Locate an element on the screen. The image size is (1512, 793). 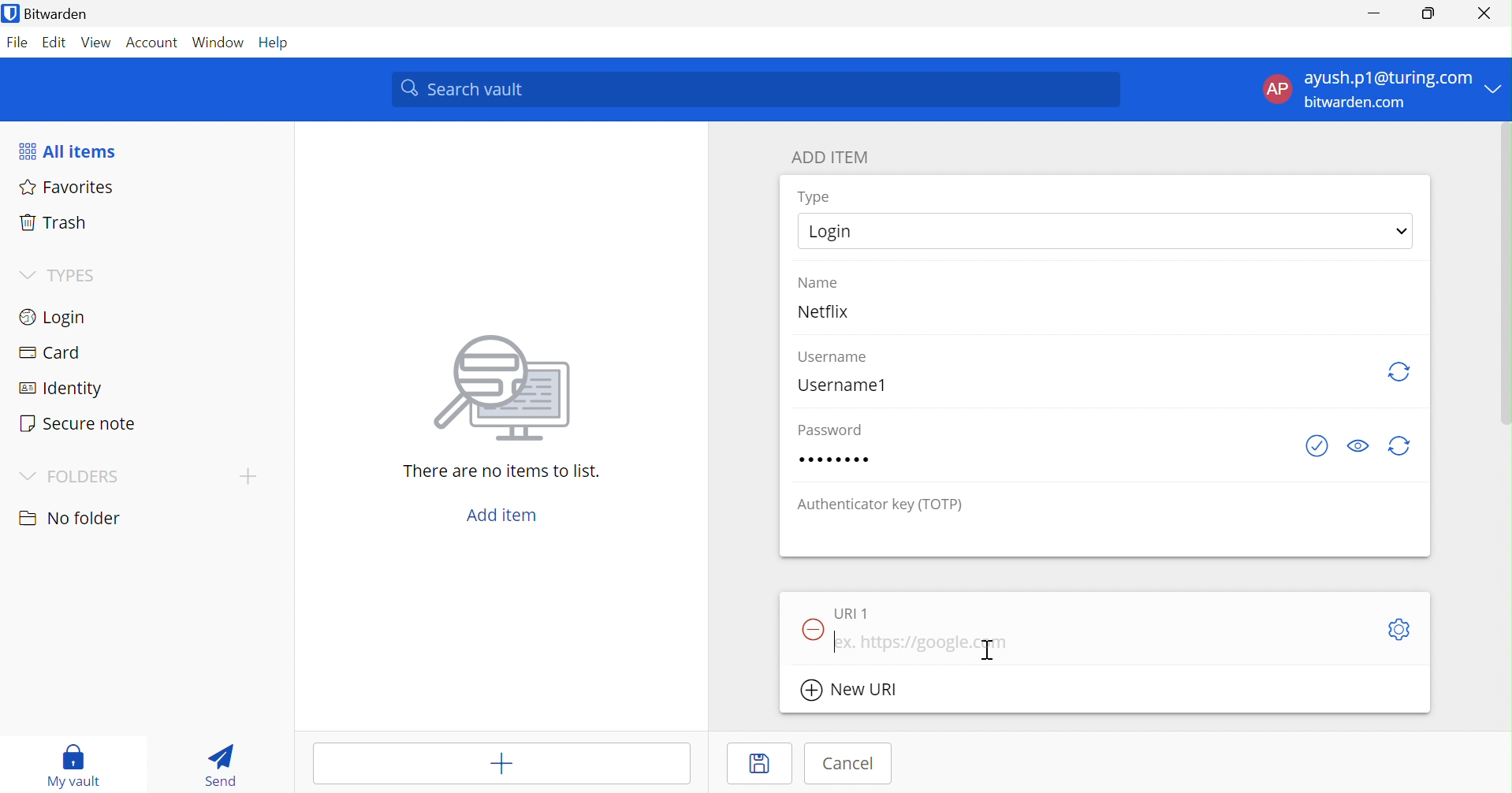
Card is located at coordinates (47, 350).